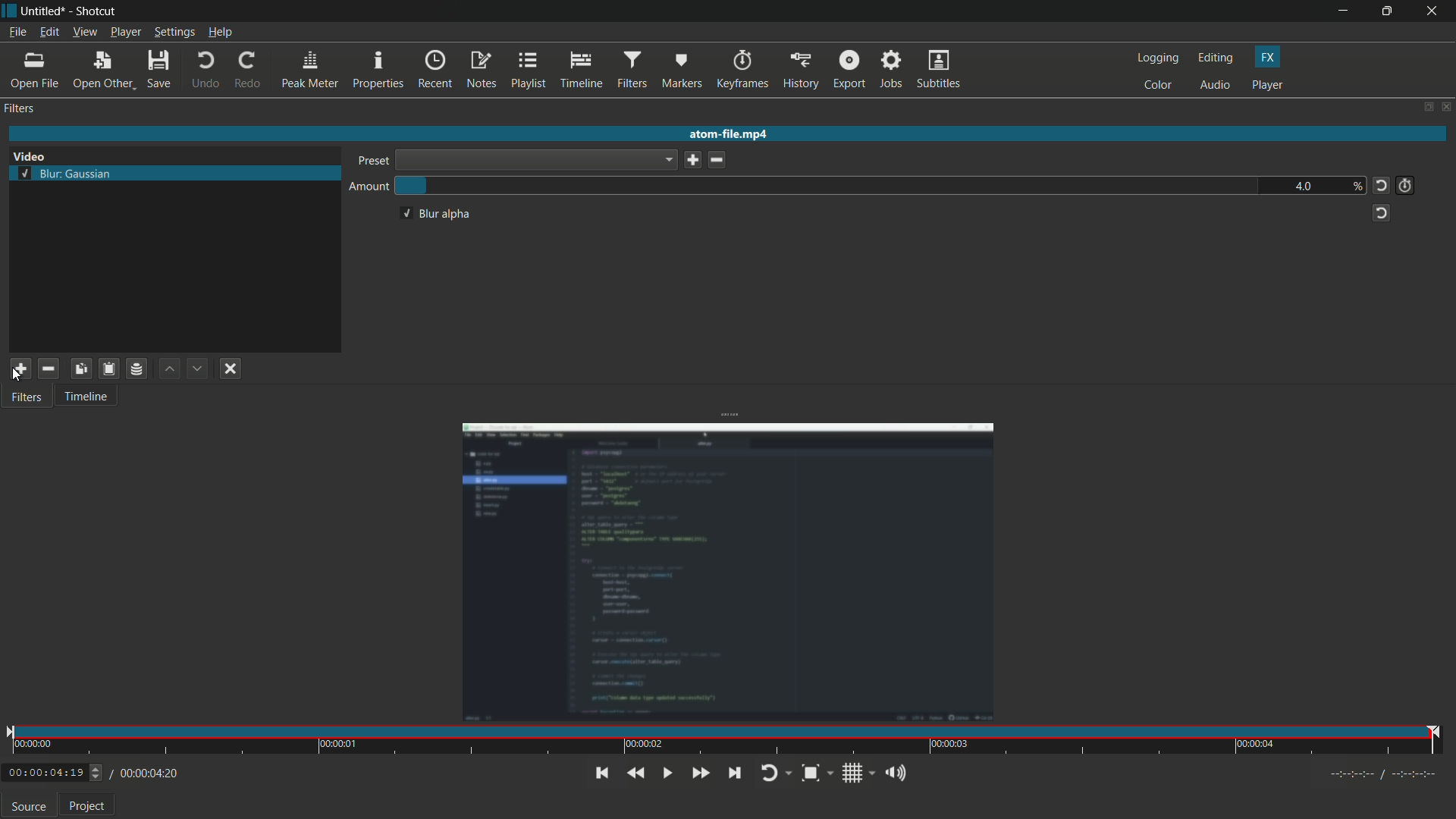 This screenshot has height=819, width=1456. What do you see at coordinates (49, 32) in the screenshot?
I see `edit menu` at bounding box center [49, 32].